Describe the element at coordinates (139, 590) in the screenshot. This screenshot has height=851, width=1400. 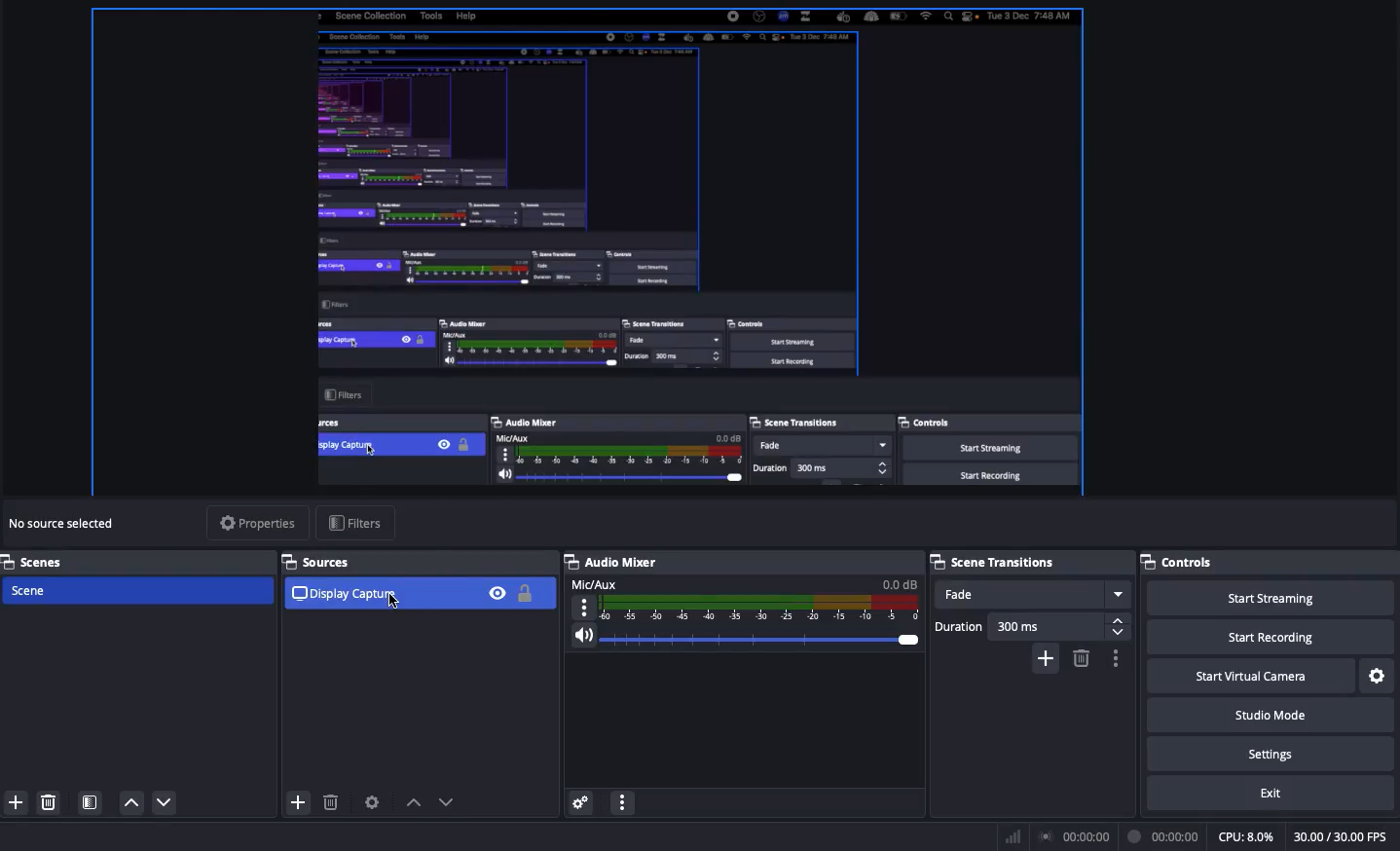
I see `Scene` at that location.